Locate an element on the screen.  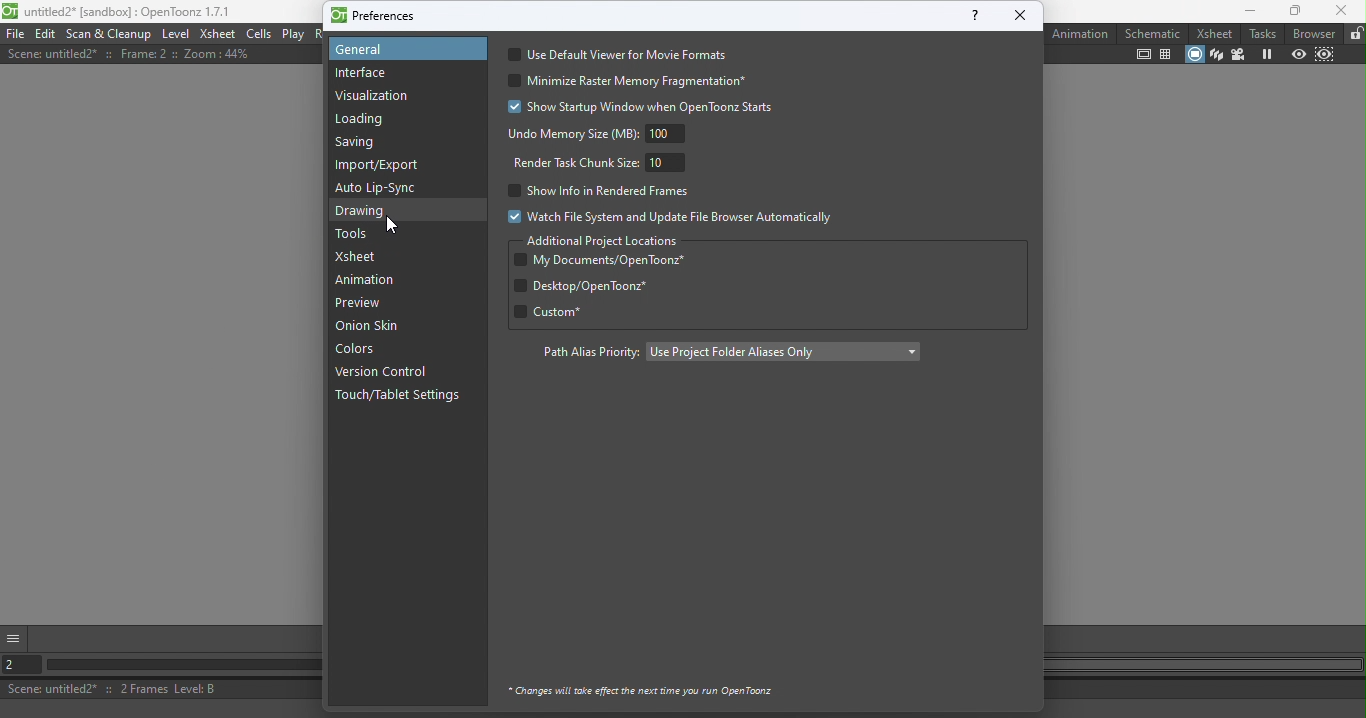
Horizontal scroll bar is located at coordinates (176, 666).